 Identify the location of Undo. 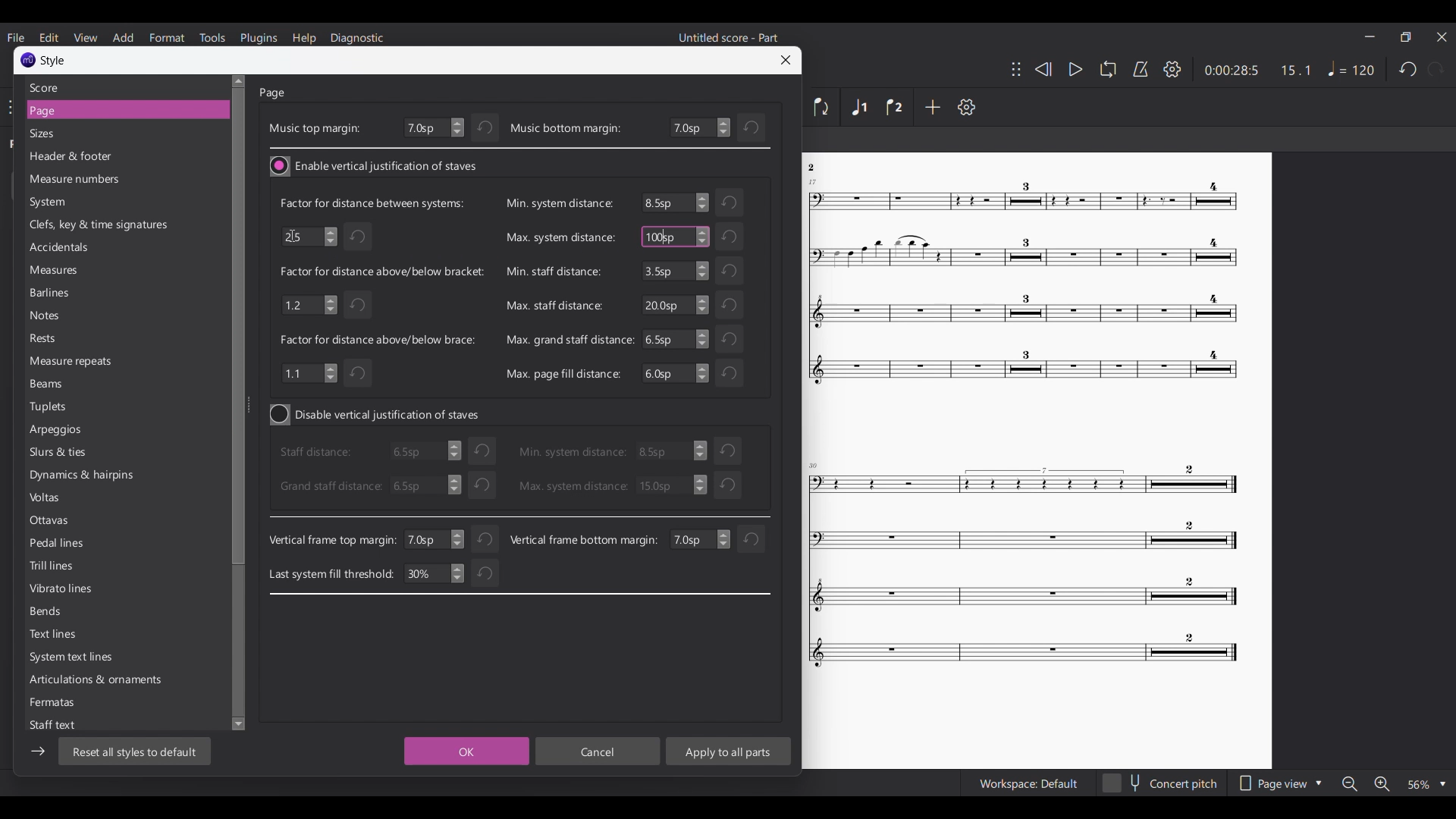
(732, 304).